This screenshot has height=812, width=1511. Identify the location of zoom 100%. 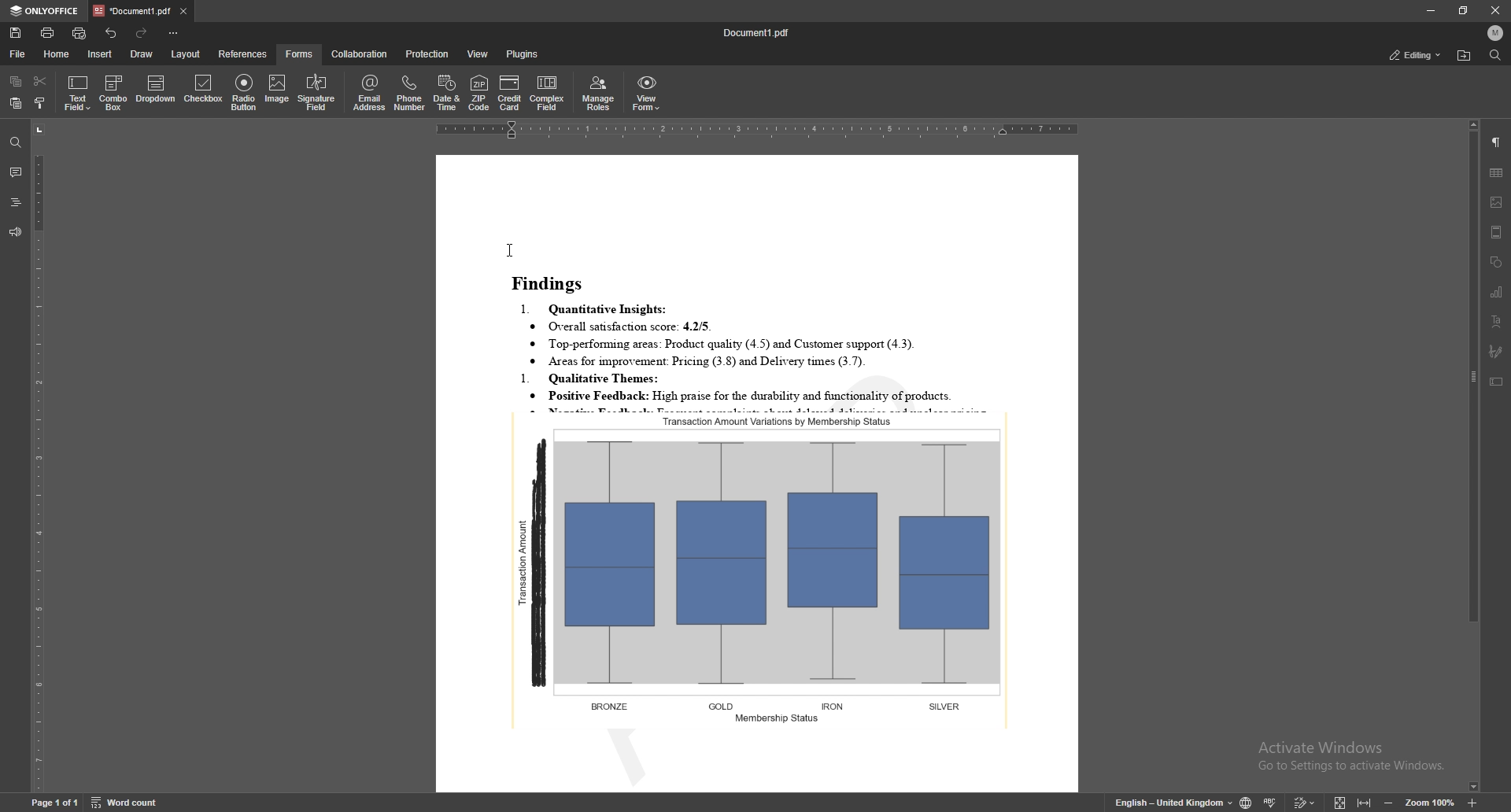
(1432, 804).